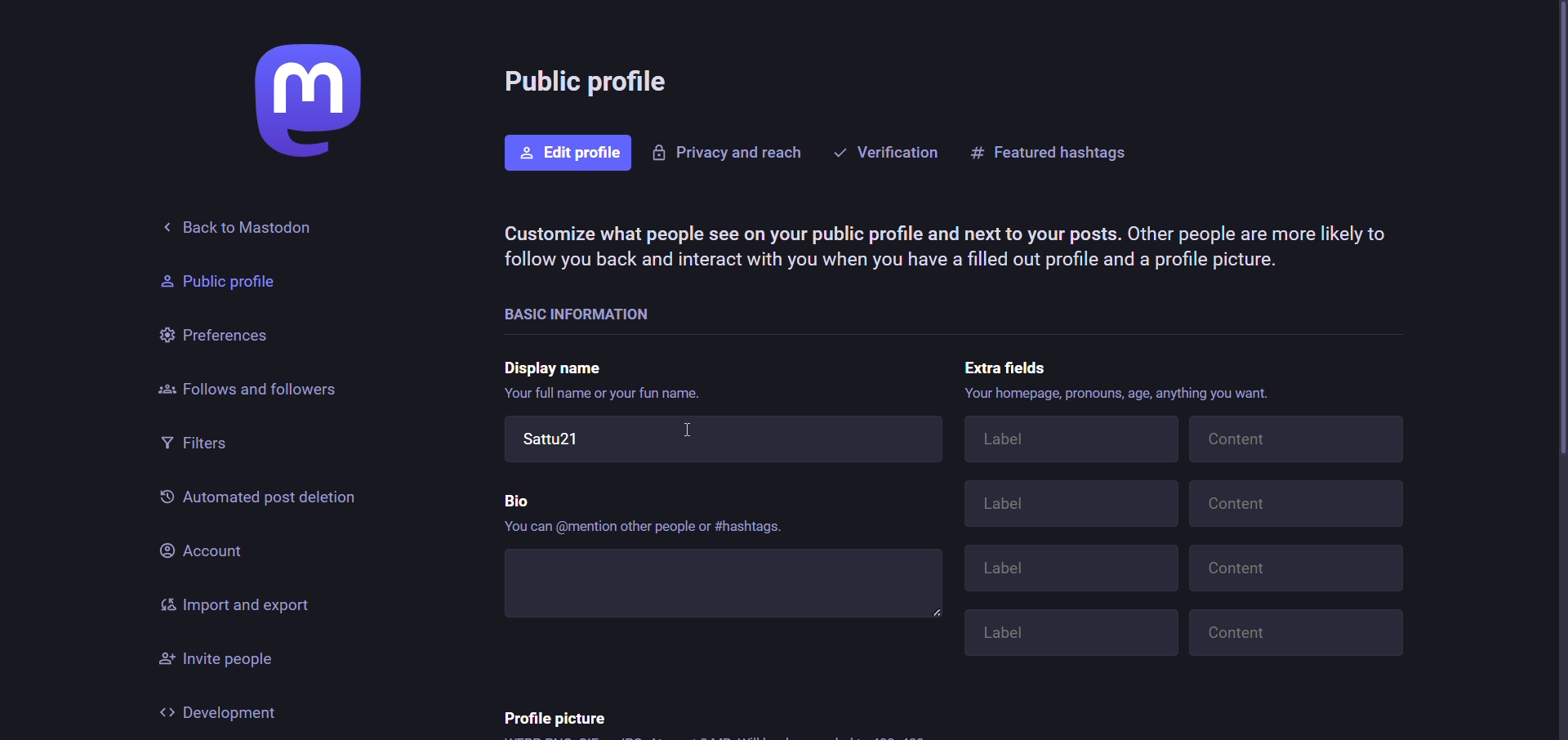 This screenshot has height=740, width=1568. I want to click on filters, so click(199, 445).